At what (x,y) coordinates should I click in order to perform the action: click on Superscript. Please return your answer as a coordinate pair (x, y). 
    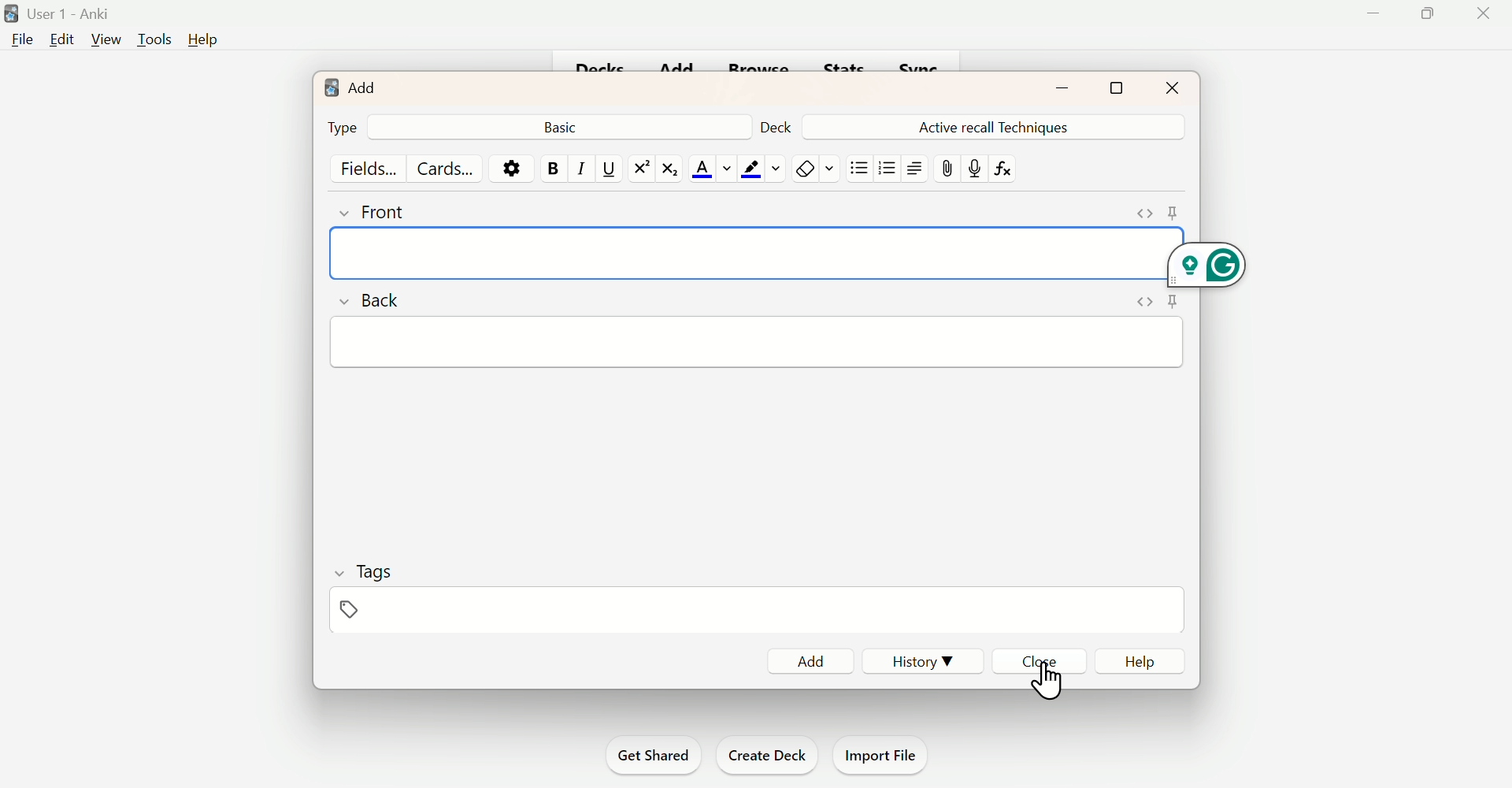
    Looking at the image, I should click on (639, 168).